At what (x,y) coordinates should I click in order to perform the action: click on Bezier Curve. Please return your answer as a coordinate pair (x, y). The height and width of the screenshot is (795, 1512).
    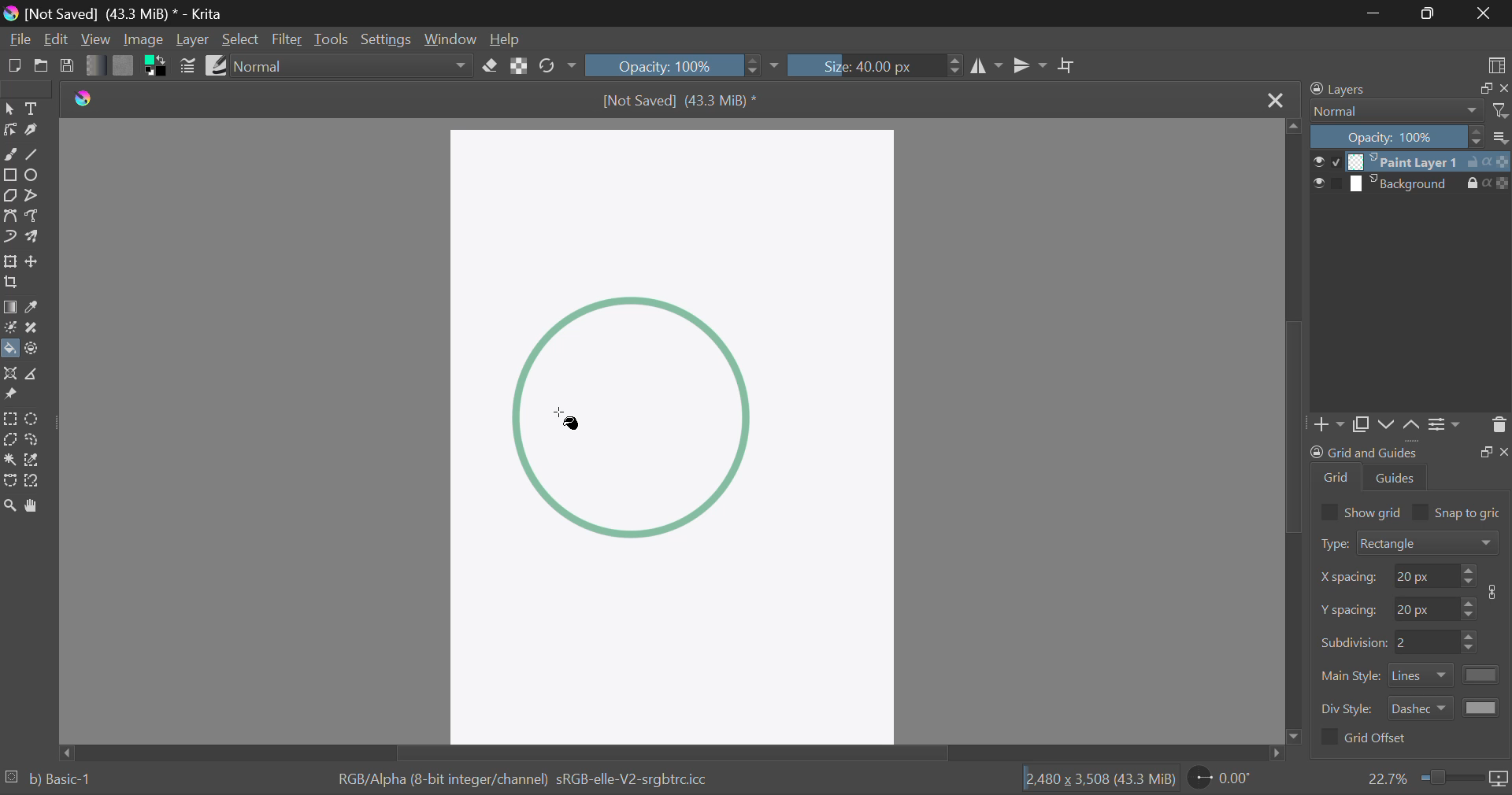
    Looking at the image, I should click on (10, 215).